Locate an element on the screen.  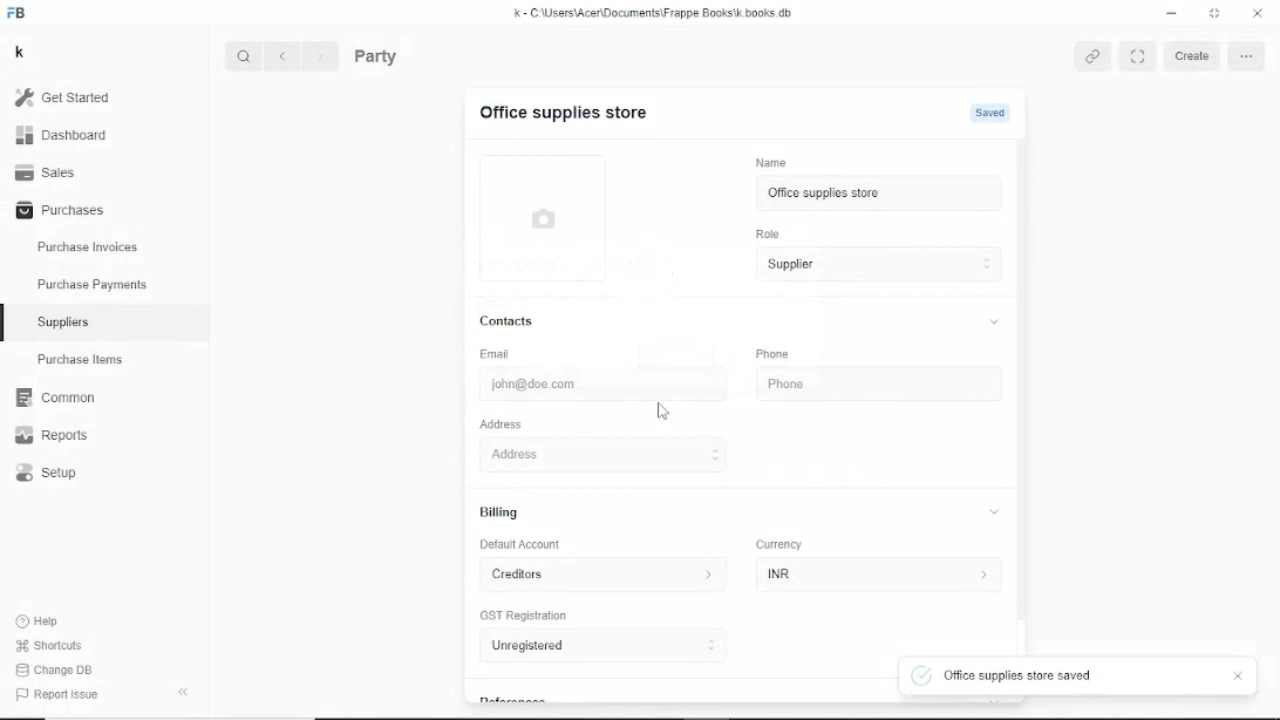
Name is located at coordinates (771, 161).